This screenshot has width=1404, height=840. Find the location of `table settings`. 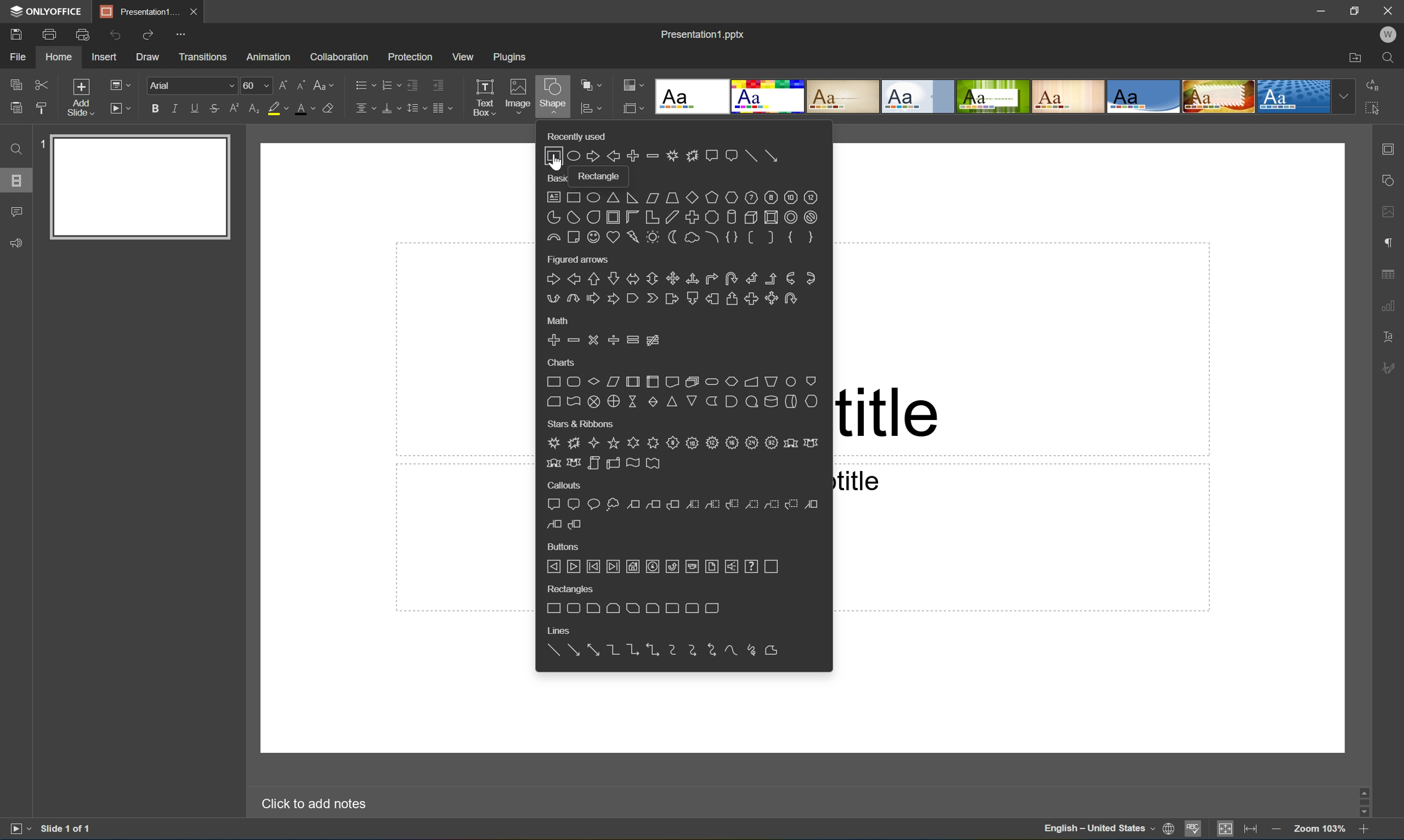

table settings is located at coordinates (1389, 272).